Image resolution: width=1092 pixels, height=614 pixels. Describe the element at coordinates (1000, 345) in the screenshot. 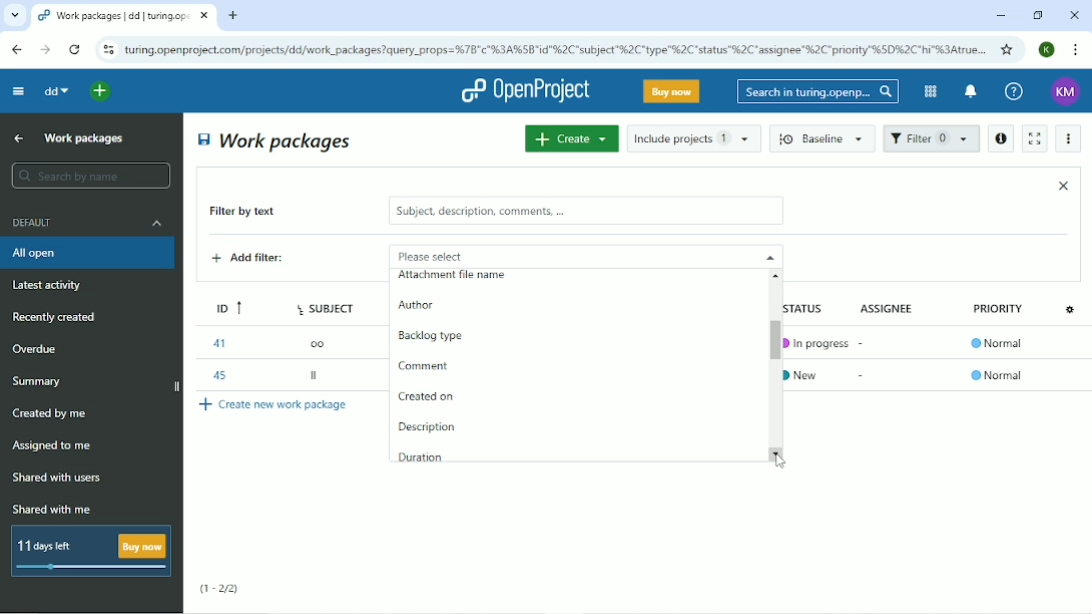

I see `Normal` at that location.